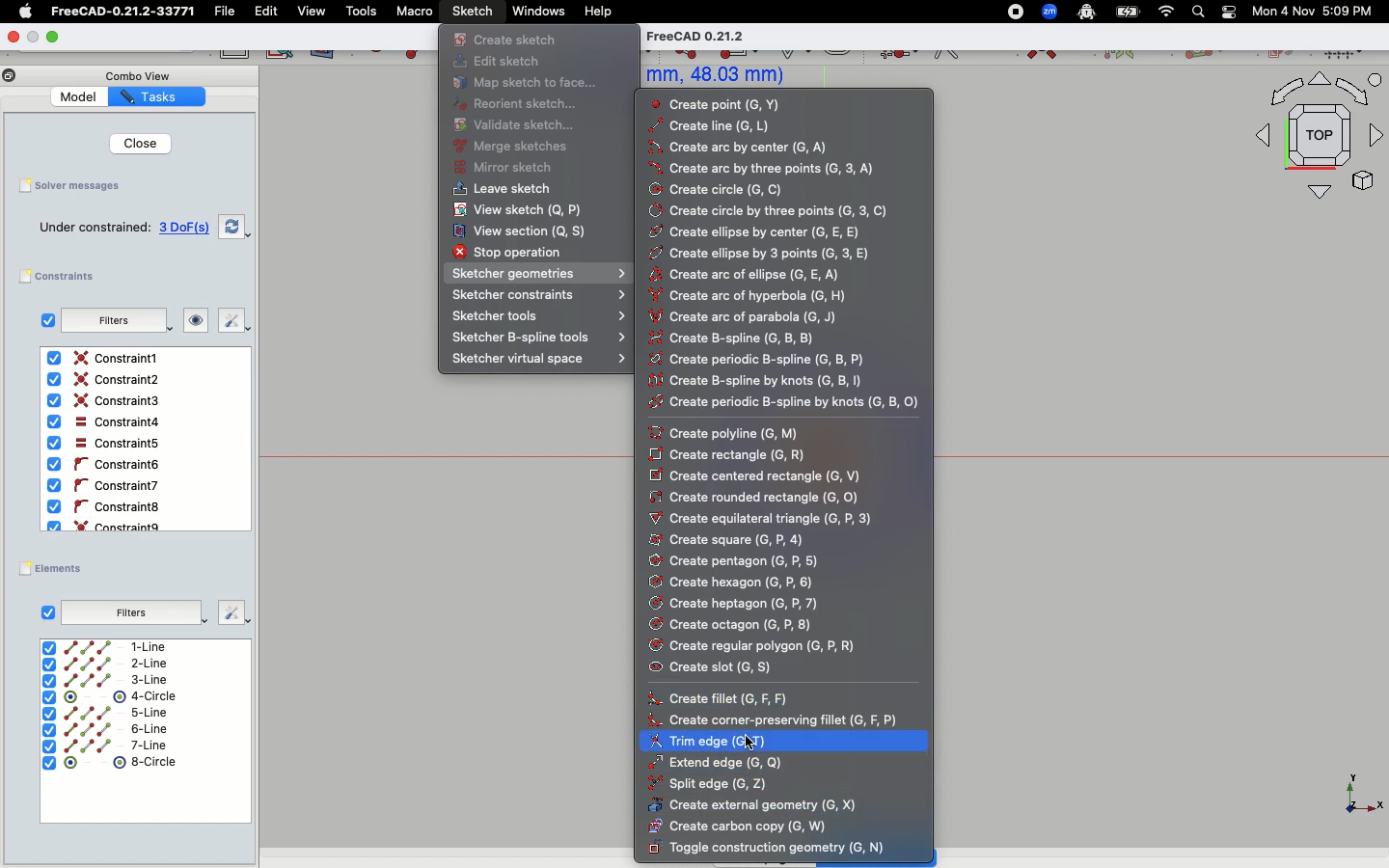 The height and width of the screenshot is (868, 1389). I want to click on Create circle by three points (G,3,C), so click(770, 212).